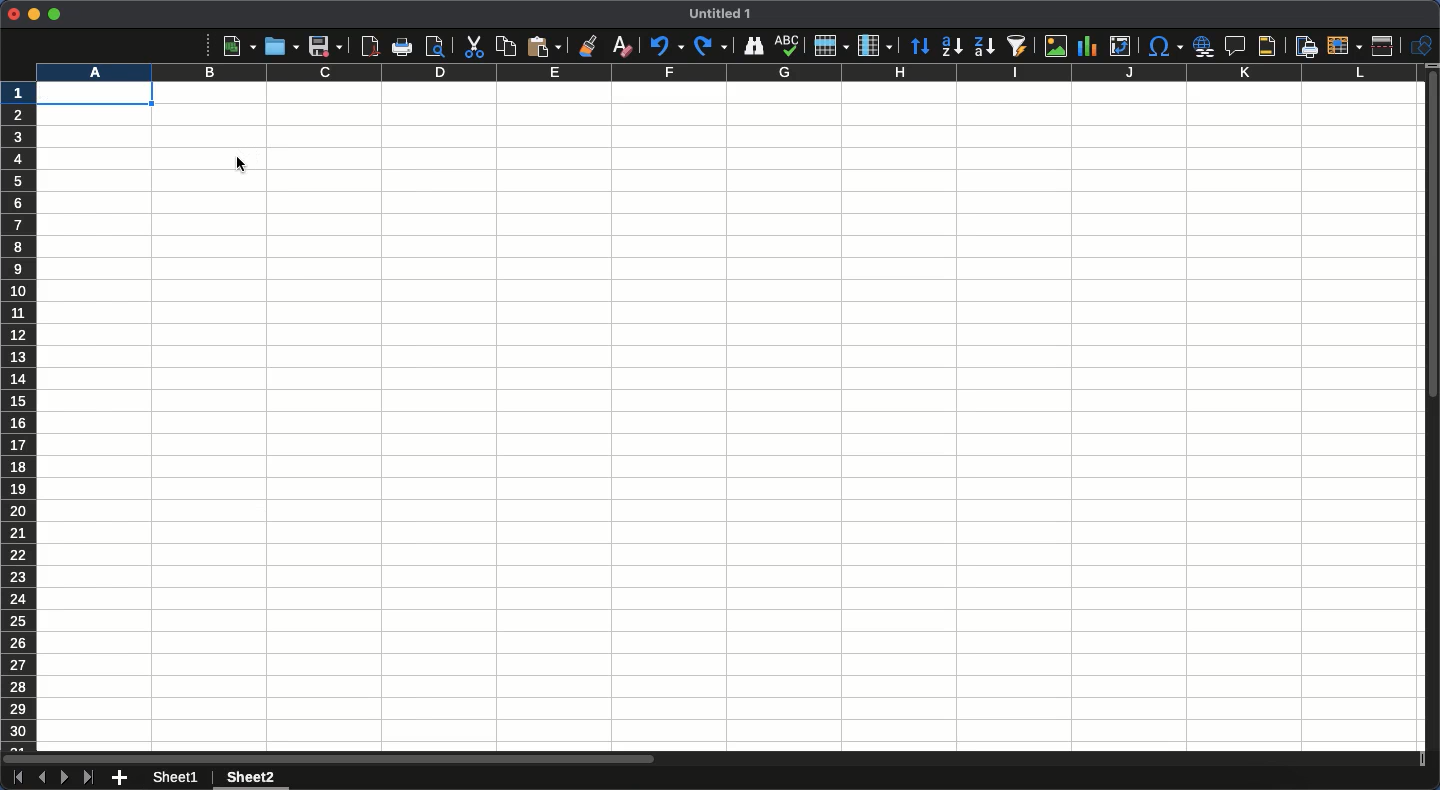  I want to click on Freeze rows and columns, so click(1345, 44).